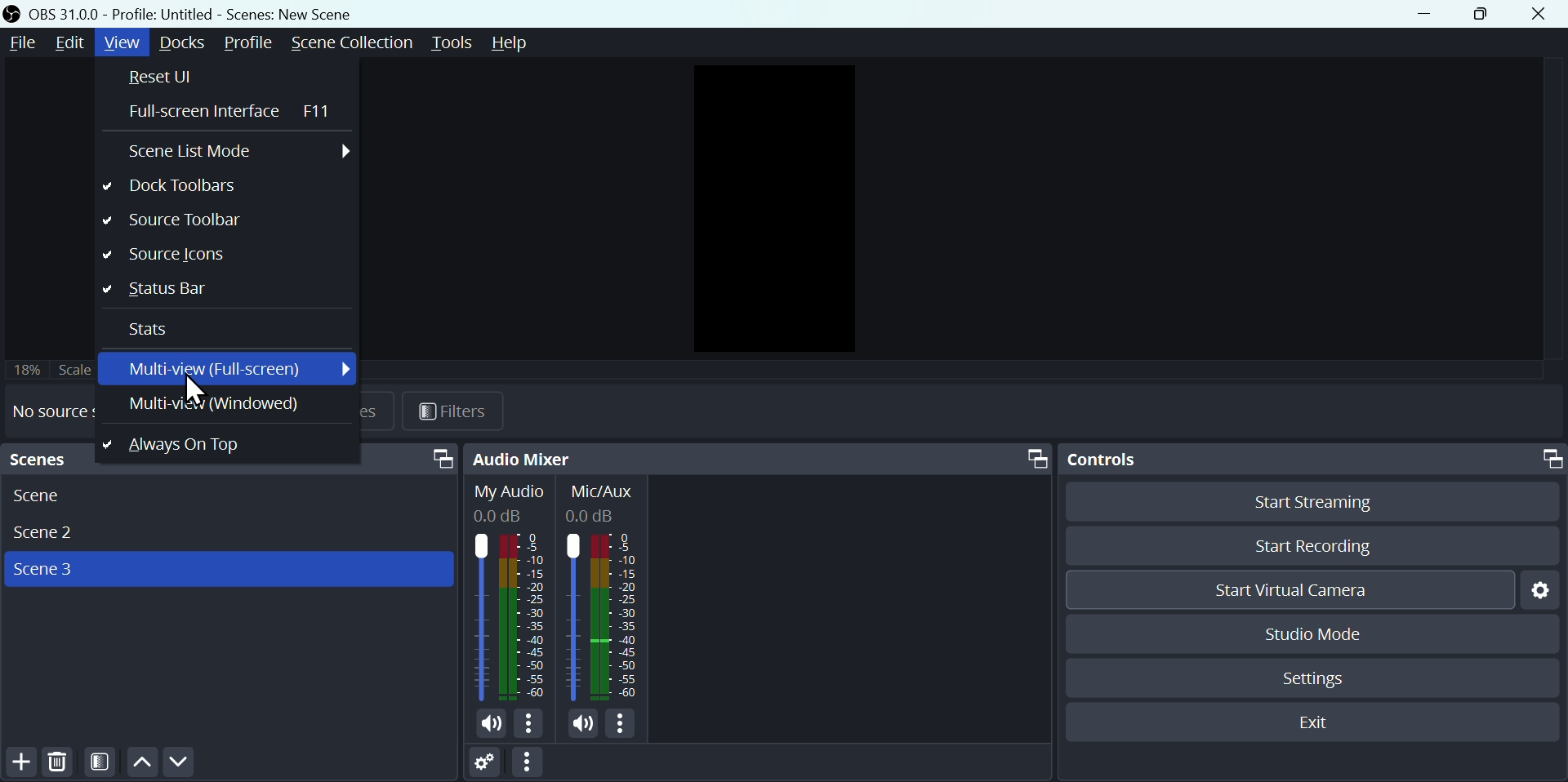 The image size is (1568, 782). Describe the element at coordinates (1308, 721) in the screenshot. I see `Exit` at that location.